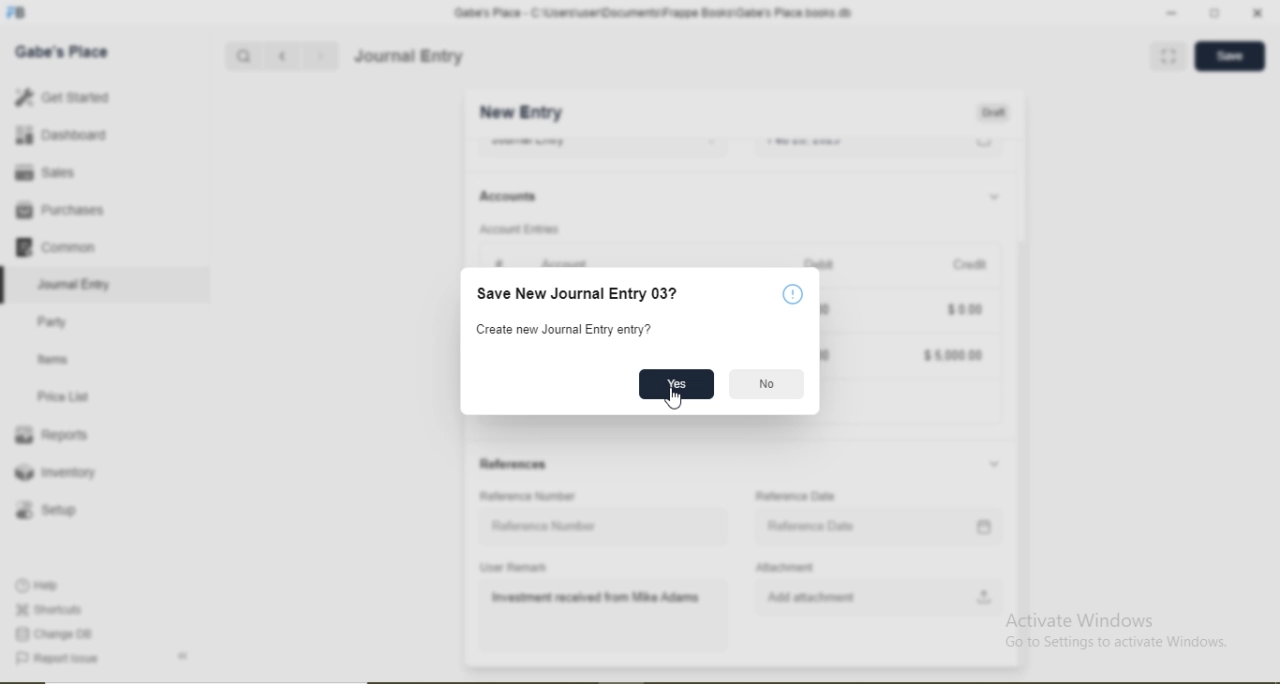 Image resolution: width=1280 pixels, height=684 pixels. What do you see at coordinates (514, 464) in the screenshot?
I see `References` at bounding box center [514, 464].